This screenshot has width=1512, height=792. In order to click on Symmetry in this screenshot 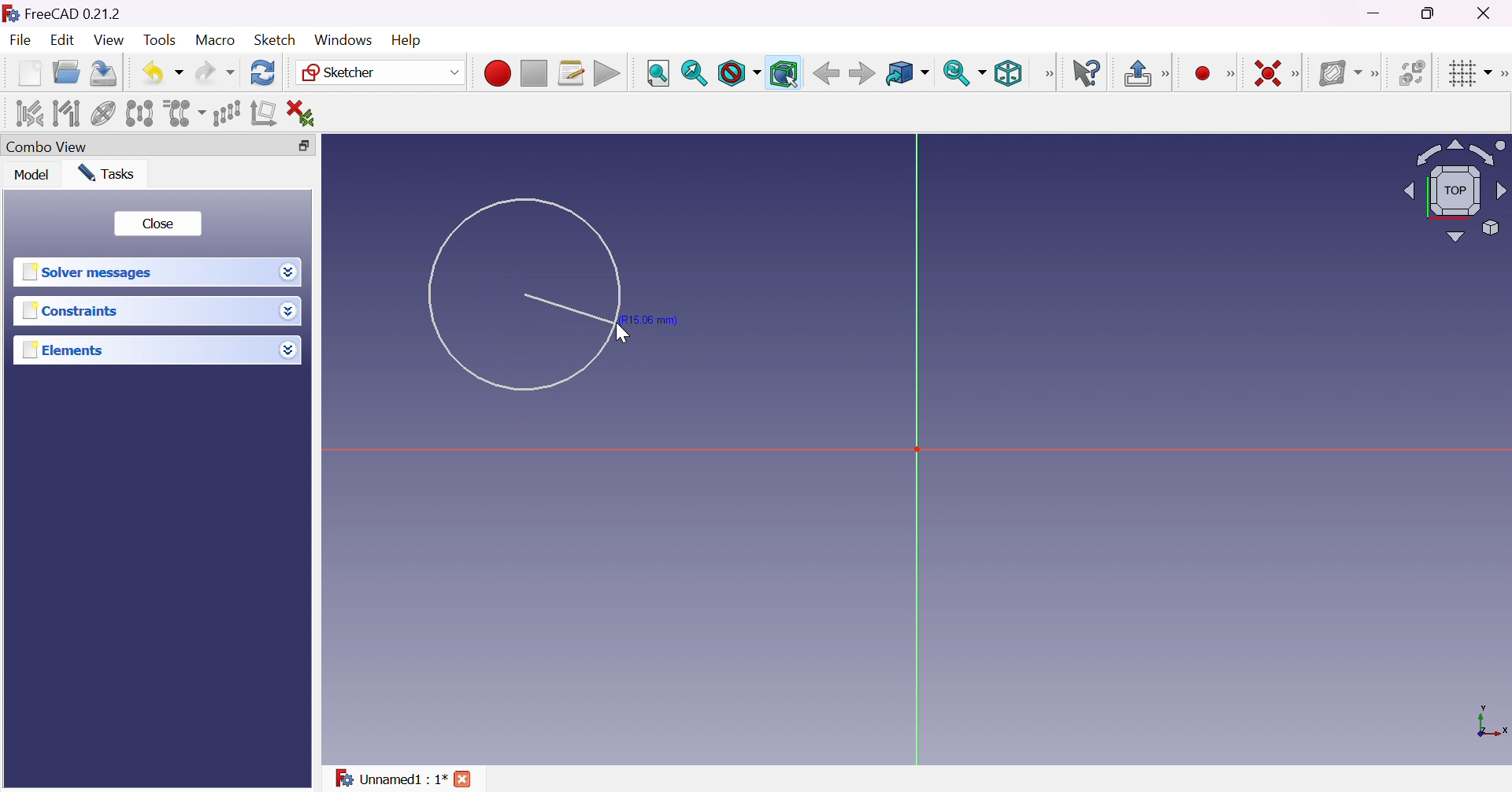, I will do `click(140, 113)`.